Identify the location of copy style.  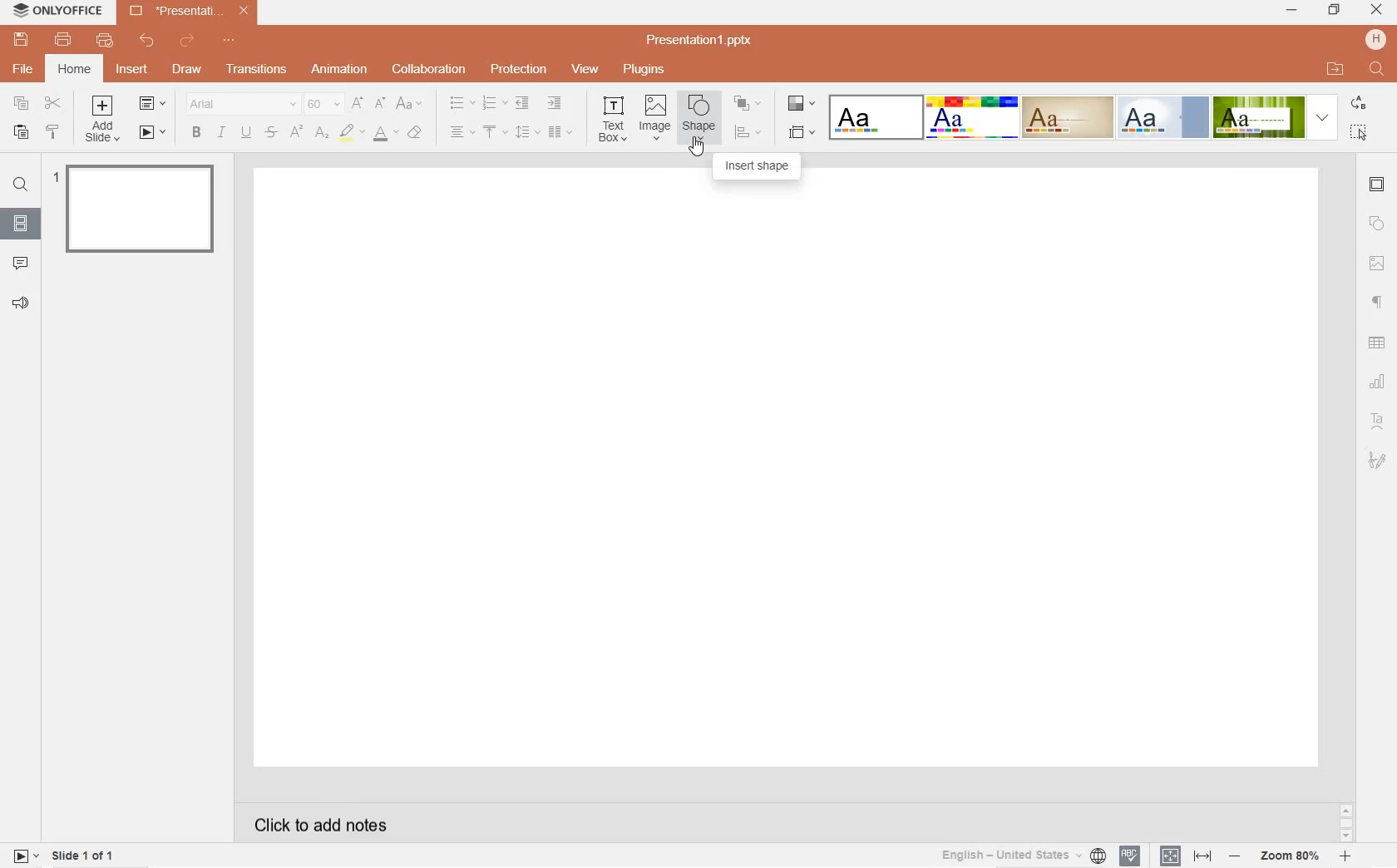
(54, 134).